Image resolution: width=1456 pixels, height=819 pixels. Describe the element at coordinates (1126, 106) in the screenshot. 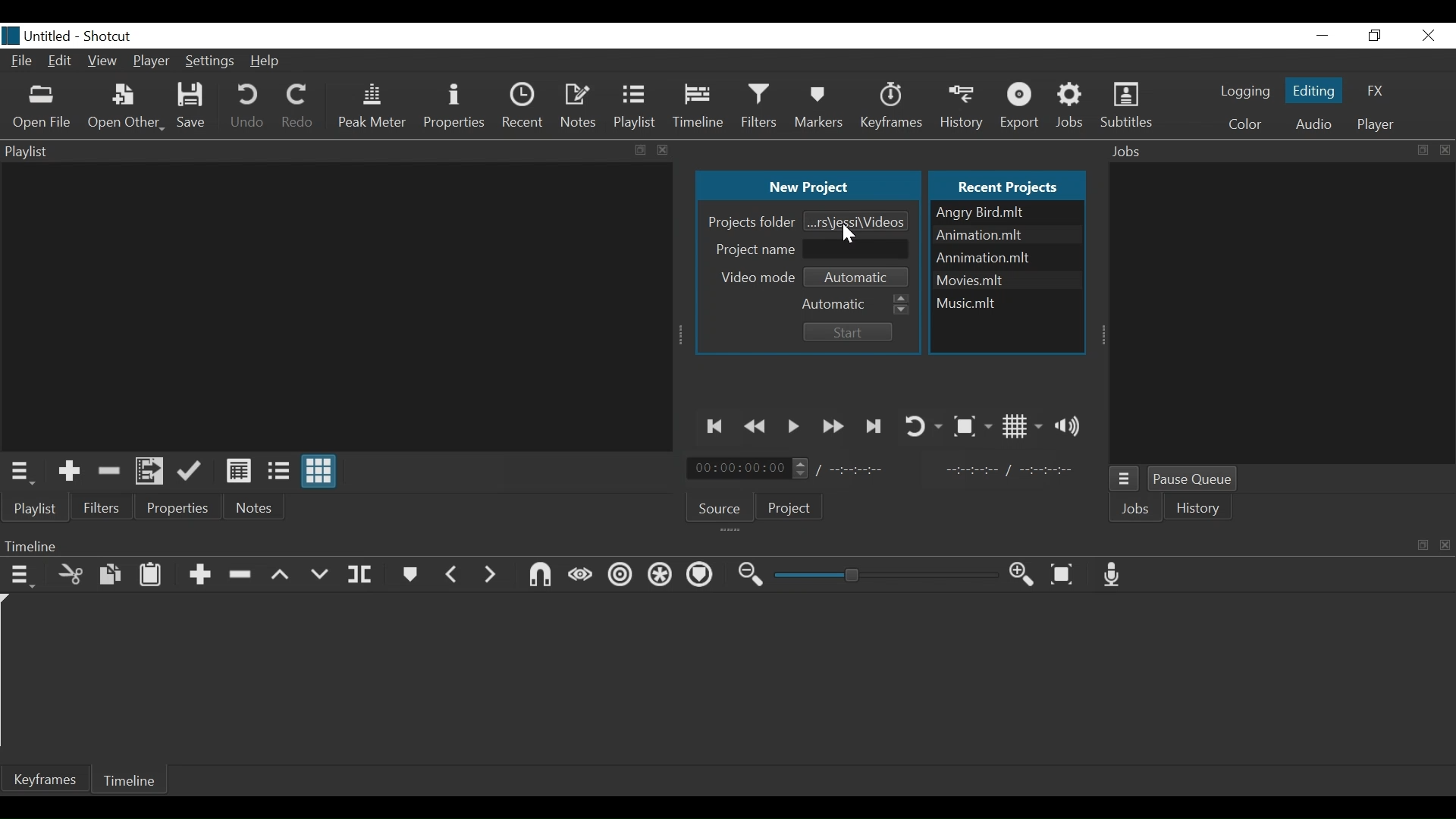

I see `Subtitles` at that location.